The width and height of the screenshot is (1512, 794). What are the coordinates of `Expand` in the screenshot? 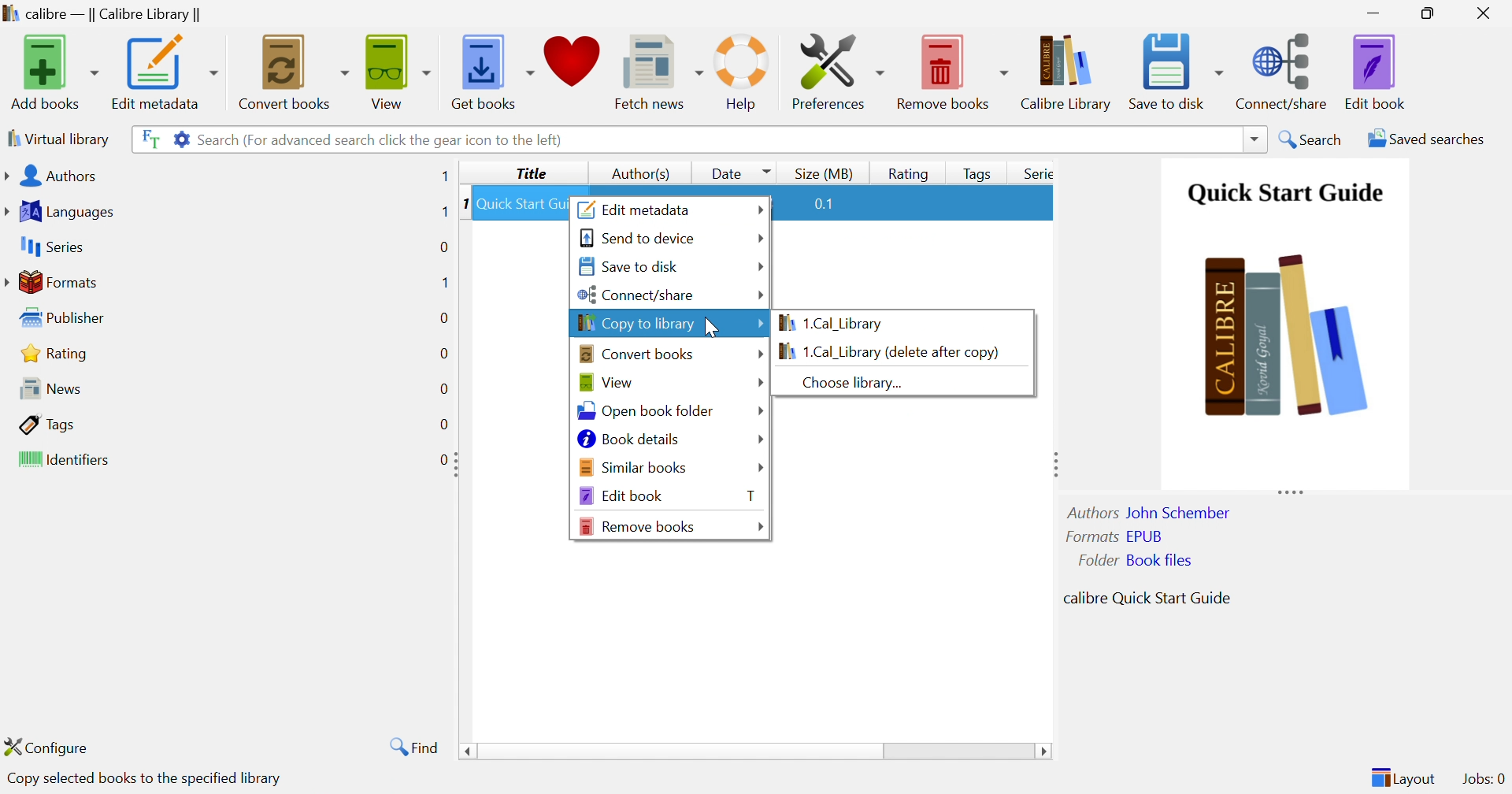 It's located at (1290, 492).